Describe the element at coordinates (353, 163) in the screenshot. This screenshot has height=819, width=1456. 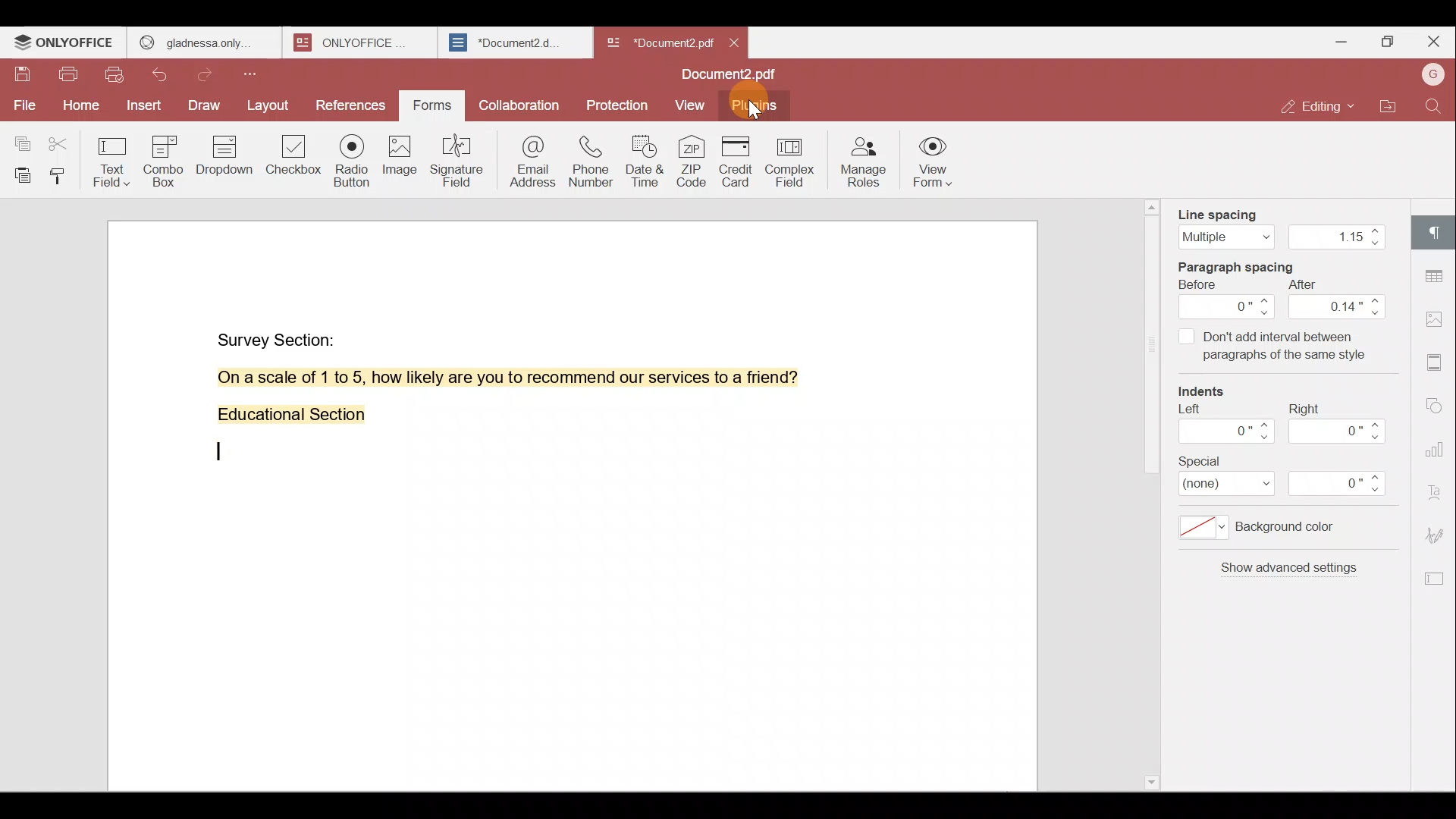
I see `Radio` at that location.